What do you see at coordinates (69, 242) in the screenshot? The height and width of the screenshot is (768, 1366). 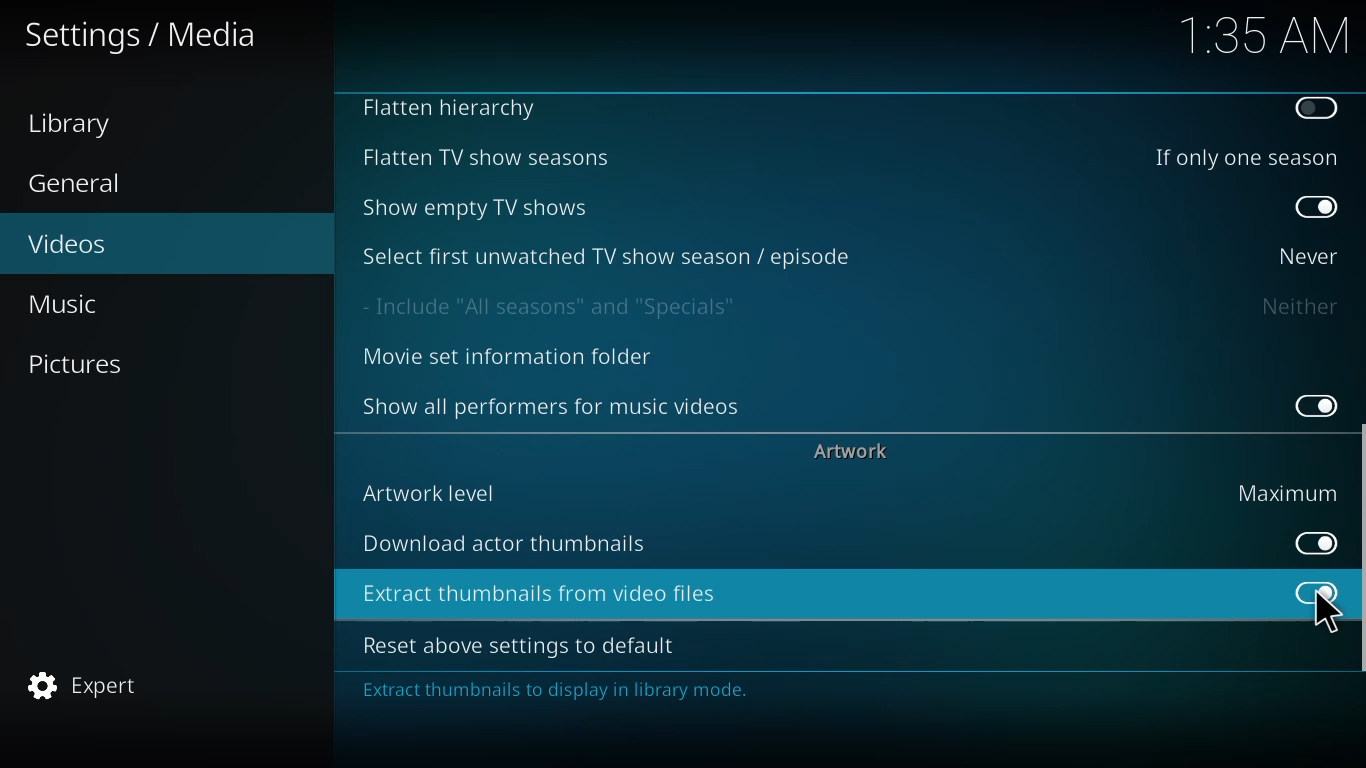 I see `videos` at bounding box center [69, 242].